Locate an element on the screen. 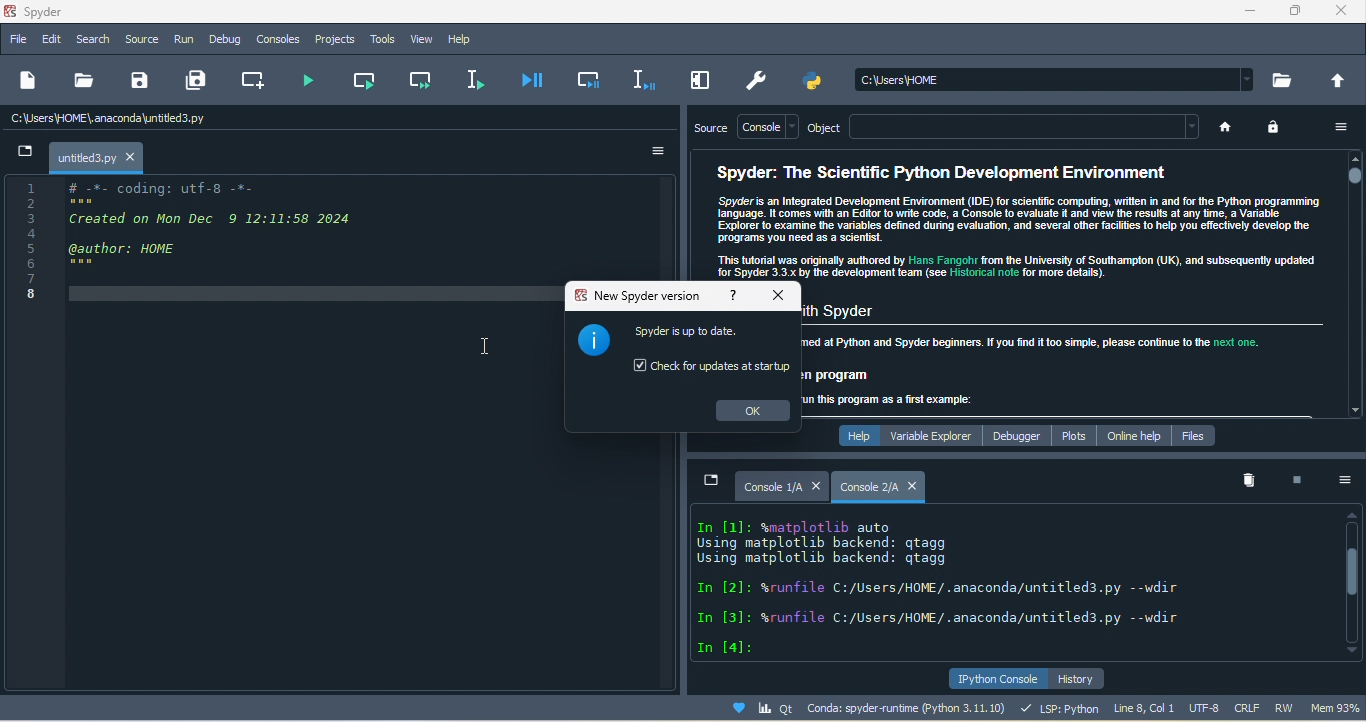 This screenshot has height=722, width=1366. interrupt kenel is located at coordinates (1295, 478).